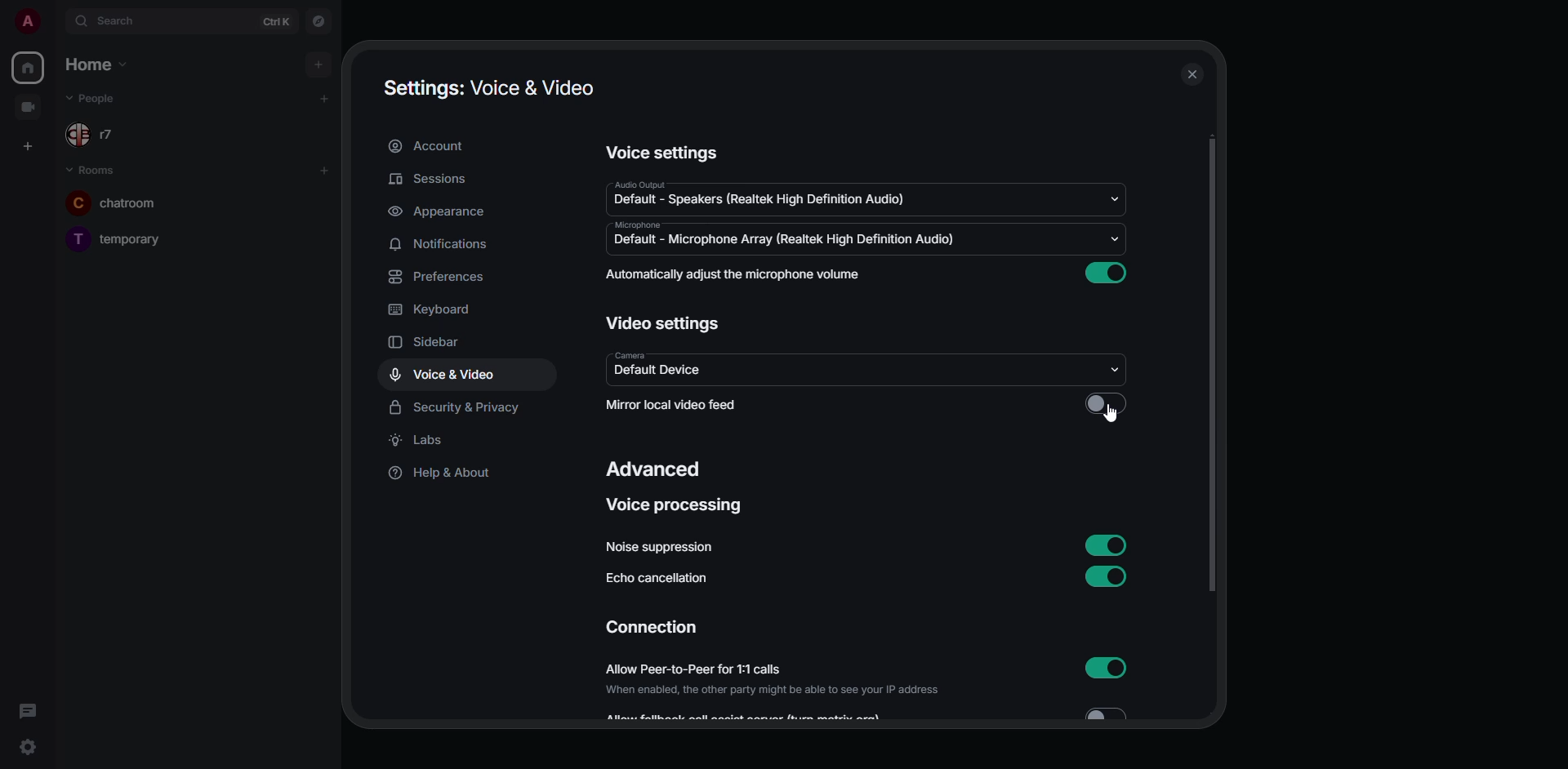 This screenshot has height=769, width=1568. Describe the element at coordinates (124, 21) in the screenshot. I see `search` at that location.